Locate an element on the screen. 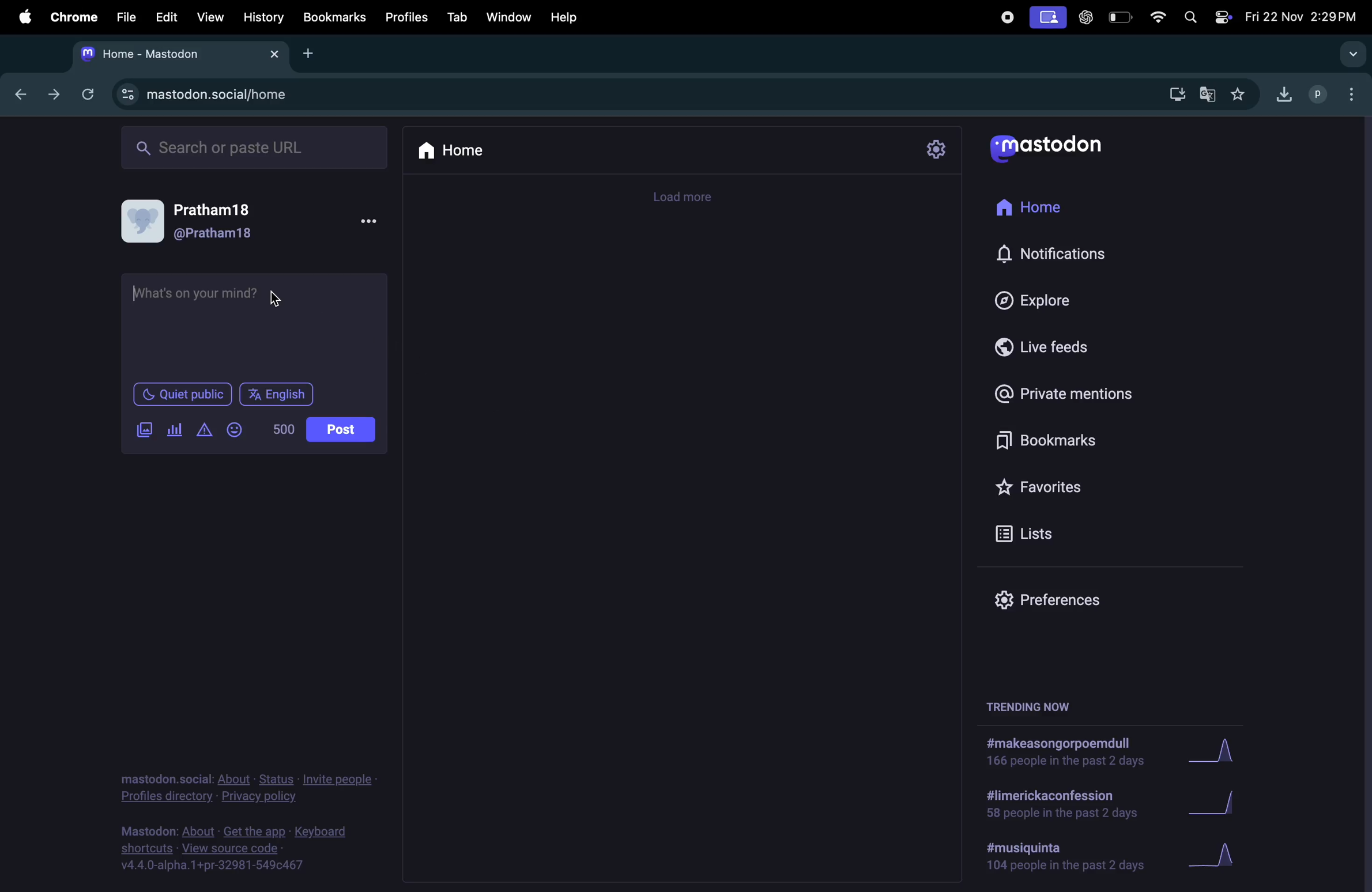  help is located at coordinates (567, 17).